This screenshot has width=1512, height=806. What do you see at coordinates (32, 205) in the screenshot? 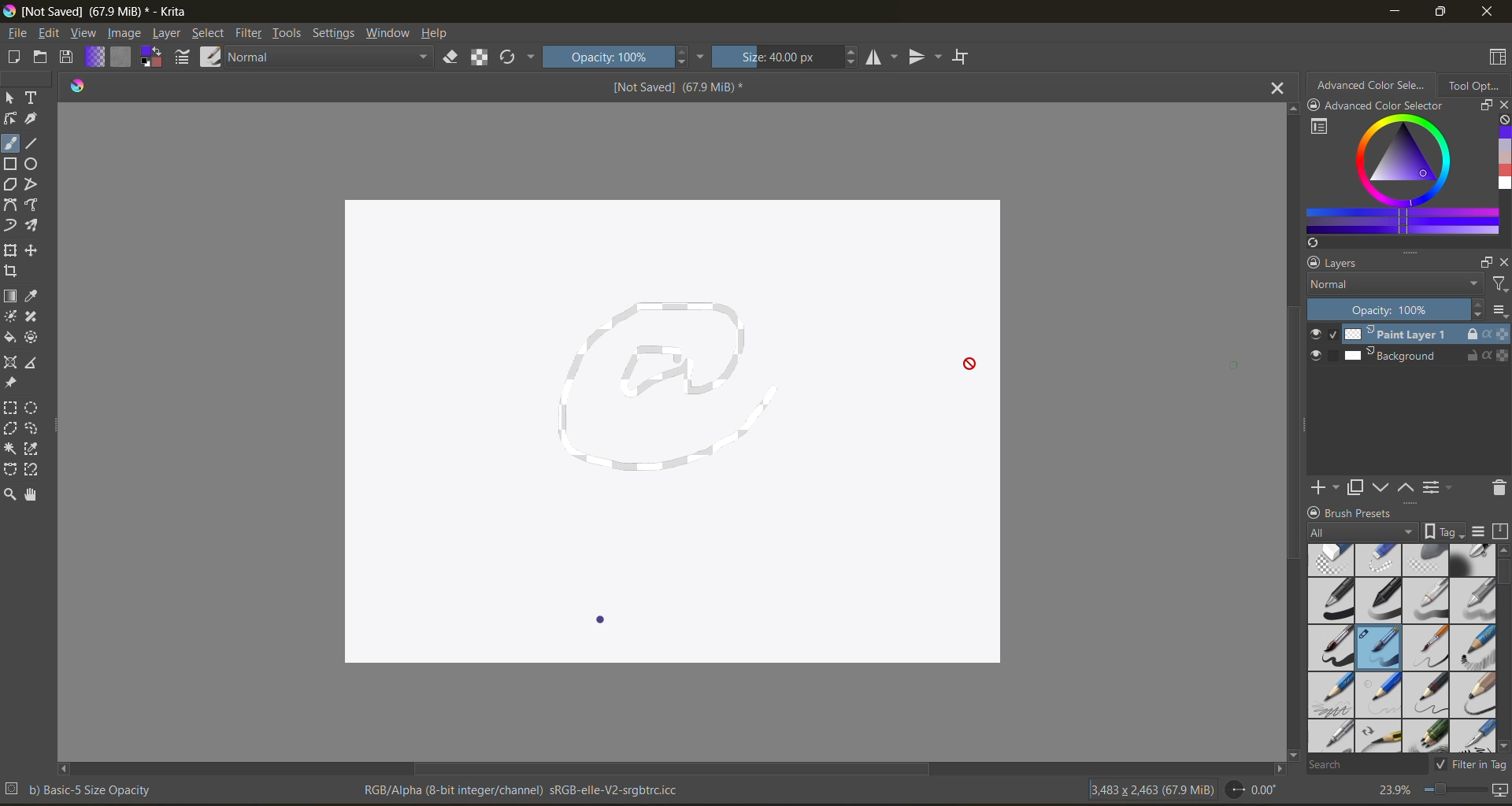
I see `free hand path` at bounding box center [32, 205].